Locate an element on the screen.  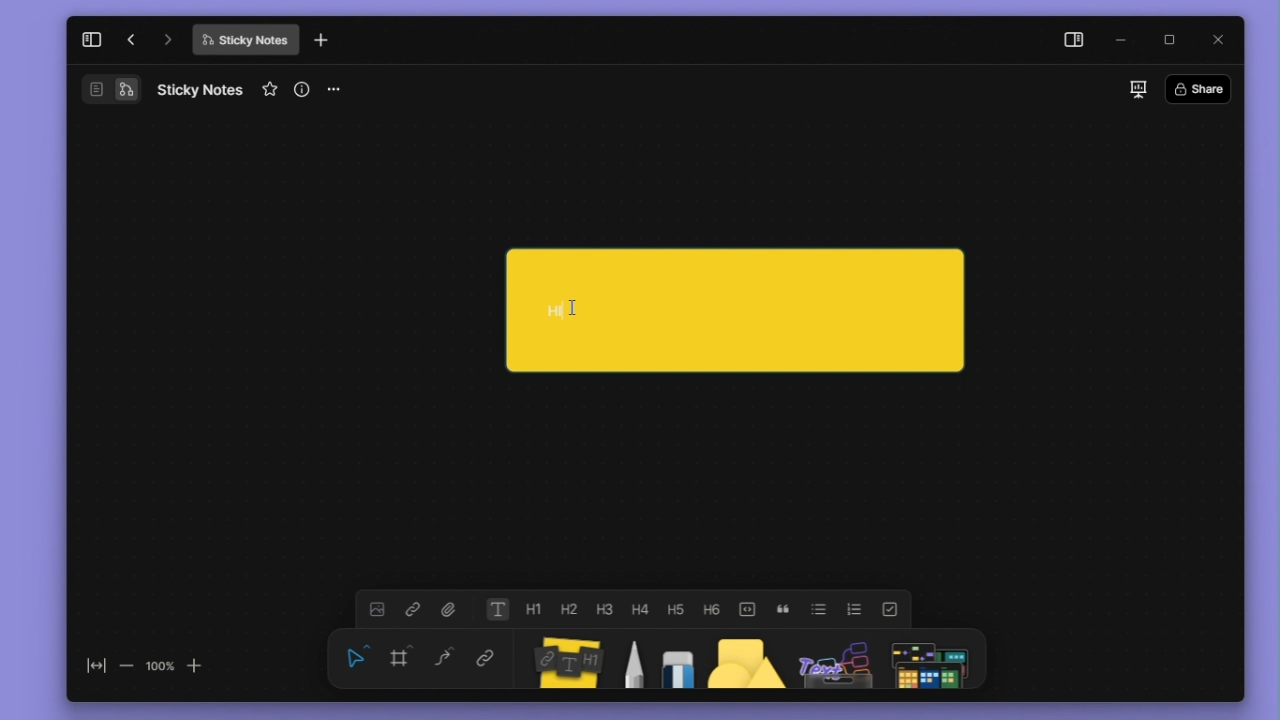
check list is located at coordinates (896, 609).